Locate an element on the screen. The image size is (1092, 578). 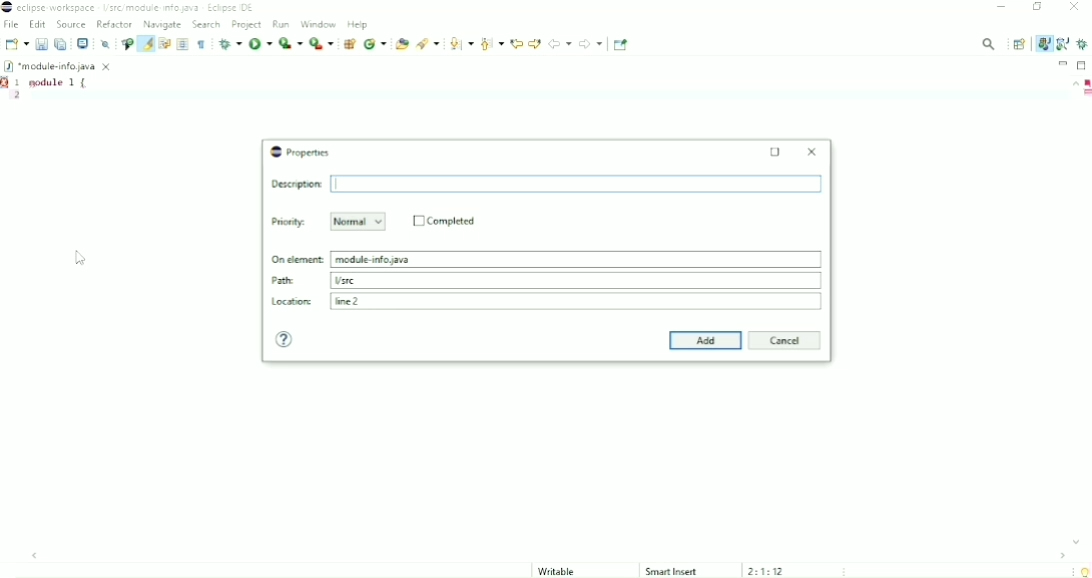
Restore down is located at coordinates (1038, 9).